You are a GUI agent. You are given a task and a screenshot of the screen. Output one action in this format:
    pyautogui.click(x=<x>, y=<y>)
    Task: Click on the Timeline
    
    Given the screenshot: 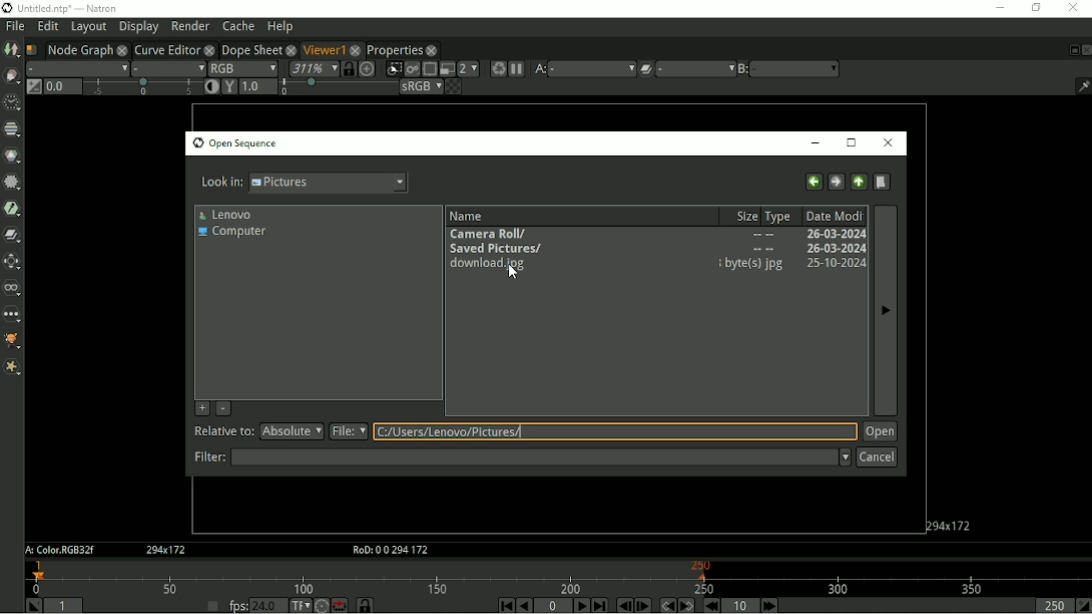 What is the action you would take?
    pyautogui.click(x=559, y=577)
    